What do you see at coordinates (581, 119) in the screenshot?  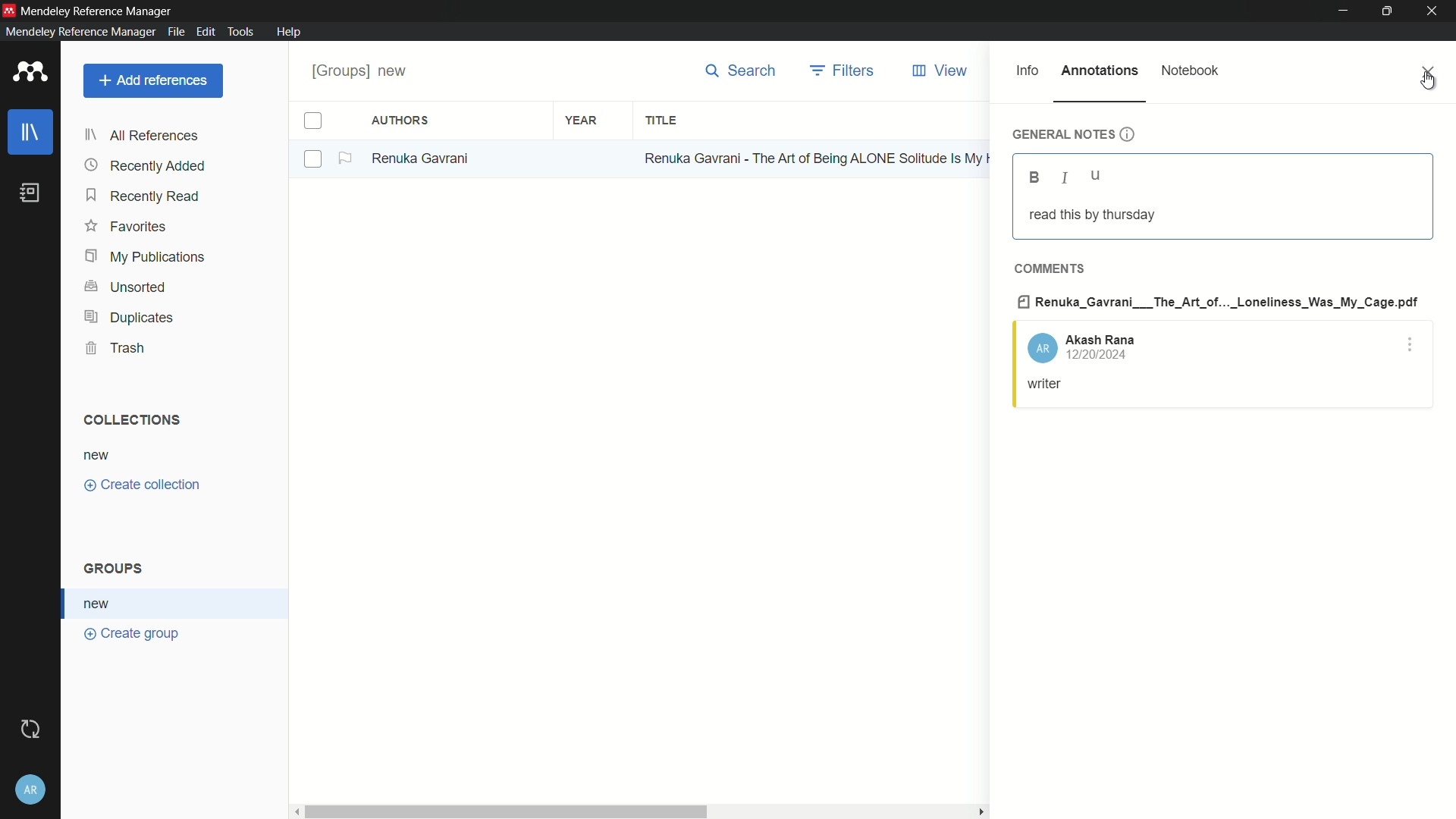 I see `year` at bounding box center [581, 119].